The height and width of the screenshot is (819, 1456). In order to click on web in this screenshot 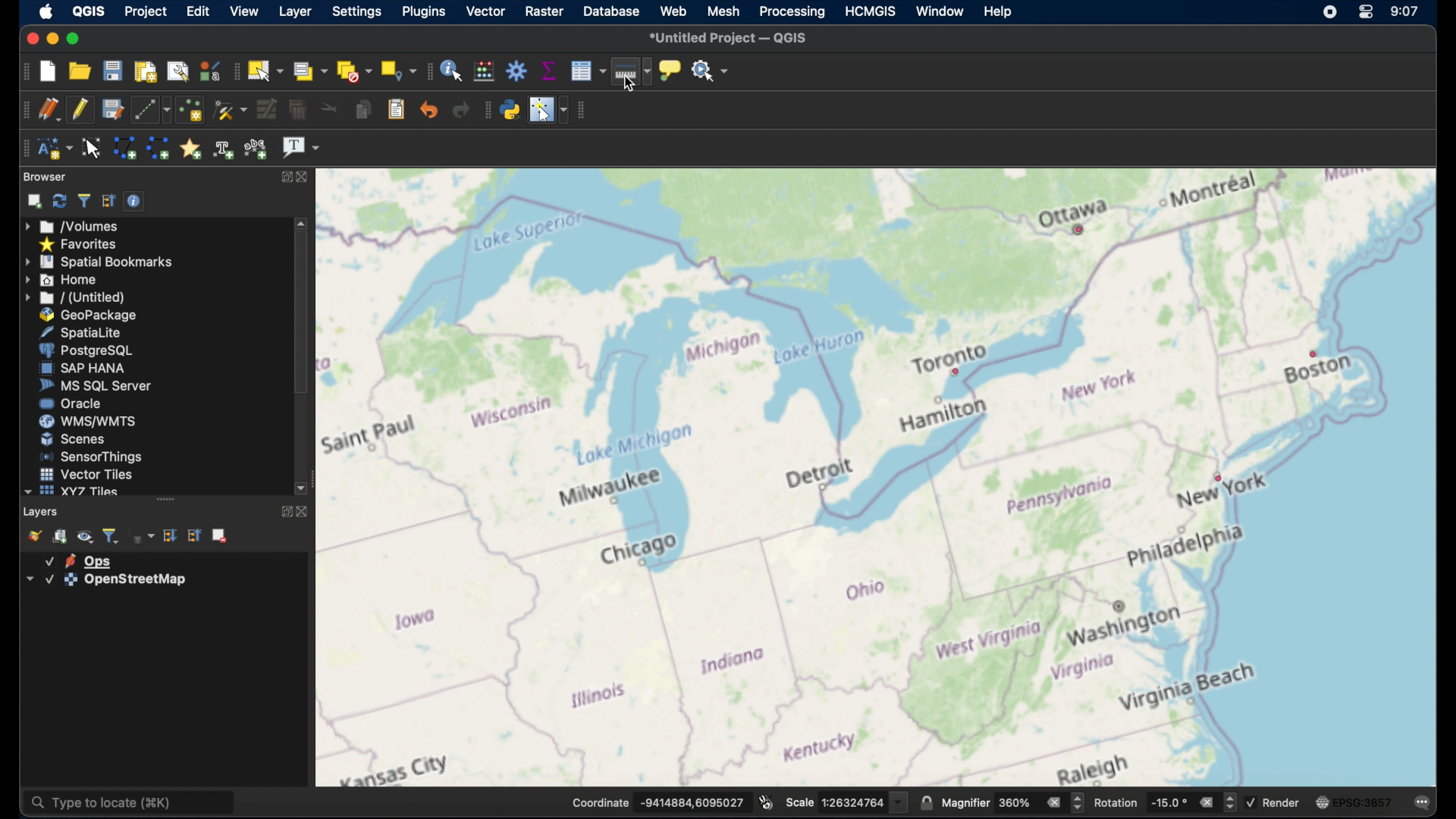, I will do `click(673, 12)`.